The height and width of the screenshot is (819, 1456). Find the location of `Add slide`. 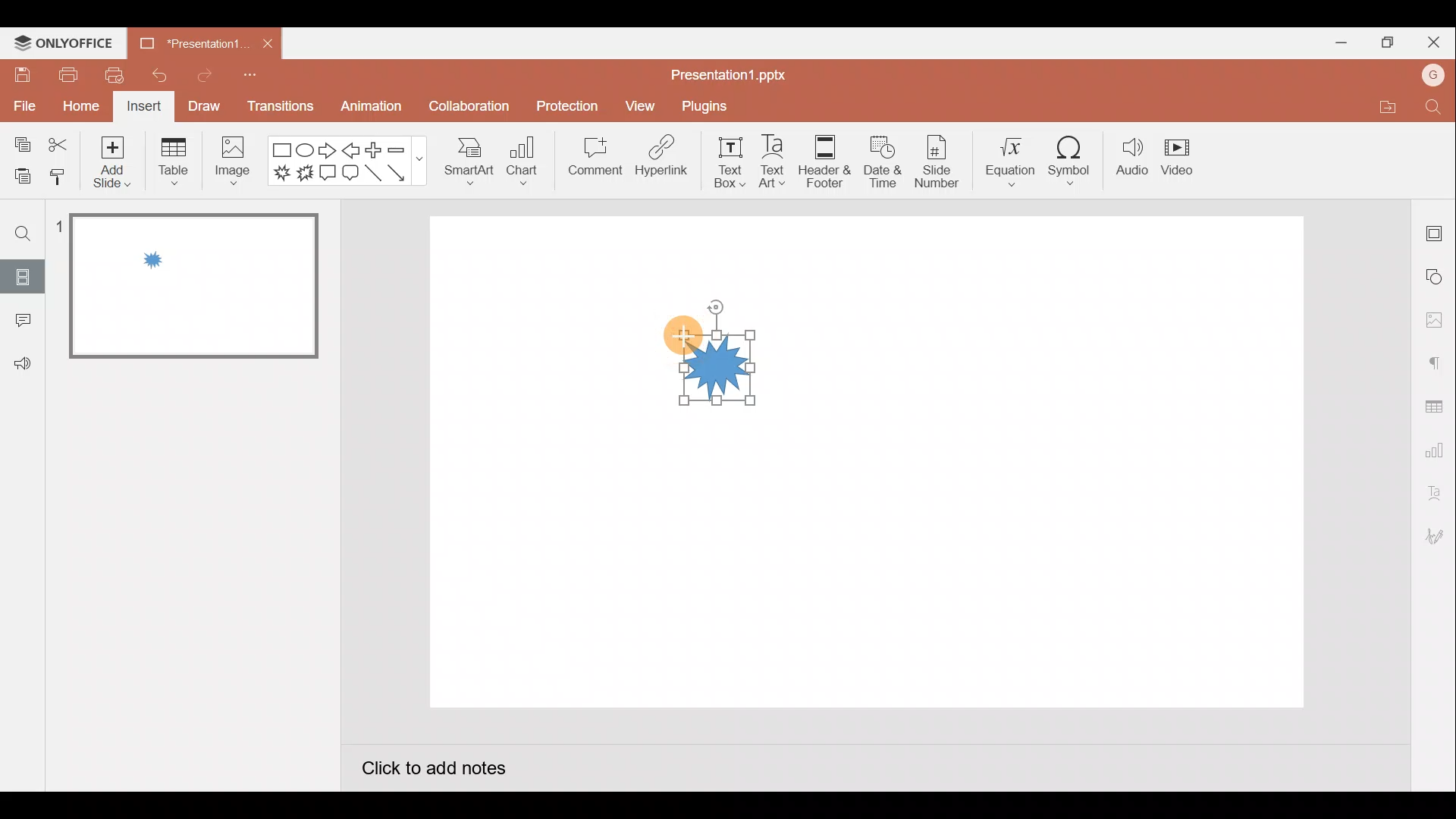

Add slide is located at coordinates (111, 162).